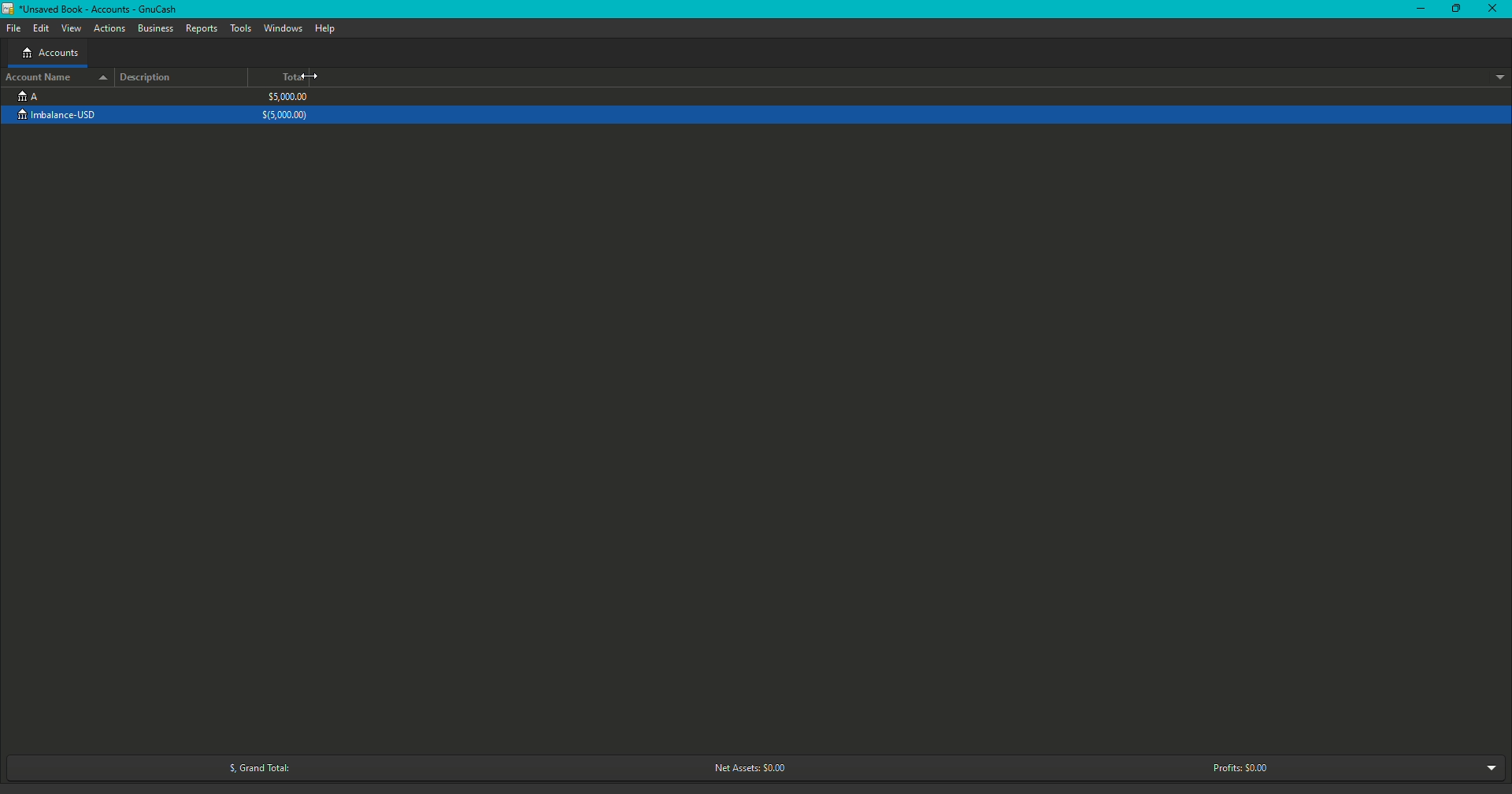  Describe the element at coordinates (1495, 10) in the screenshot. I see `Close` at that location.